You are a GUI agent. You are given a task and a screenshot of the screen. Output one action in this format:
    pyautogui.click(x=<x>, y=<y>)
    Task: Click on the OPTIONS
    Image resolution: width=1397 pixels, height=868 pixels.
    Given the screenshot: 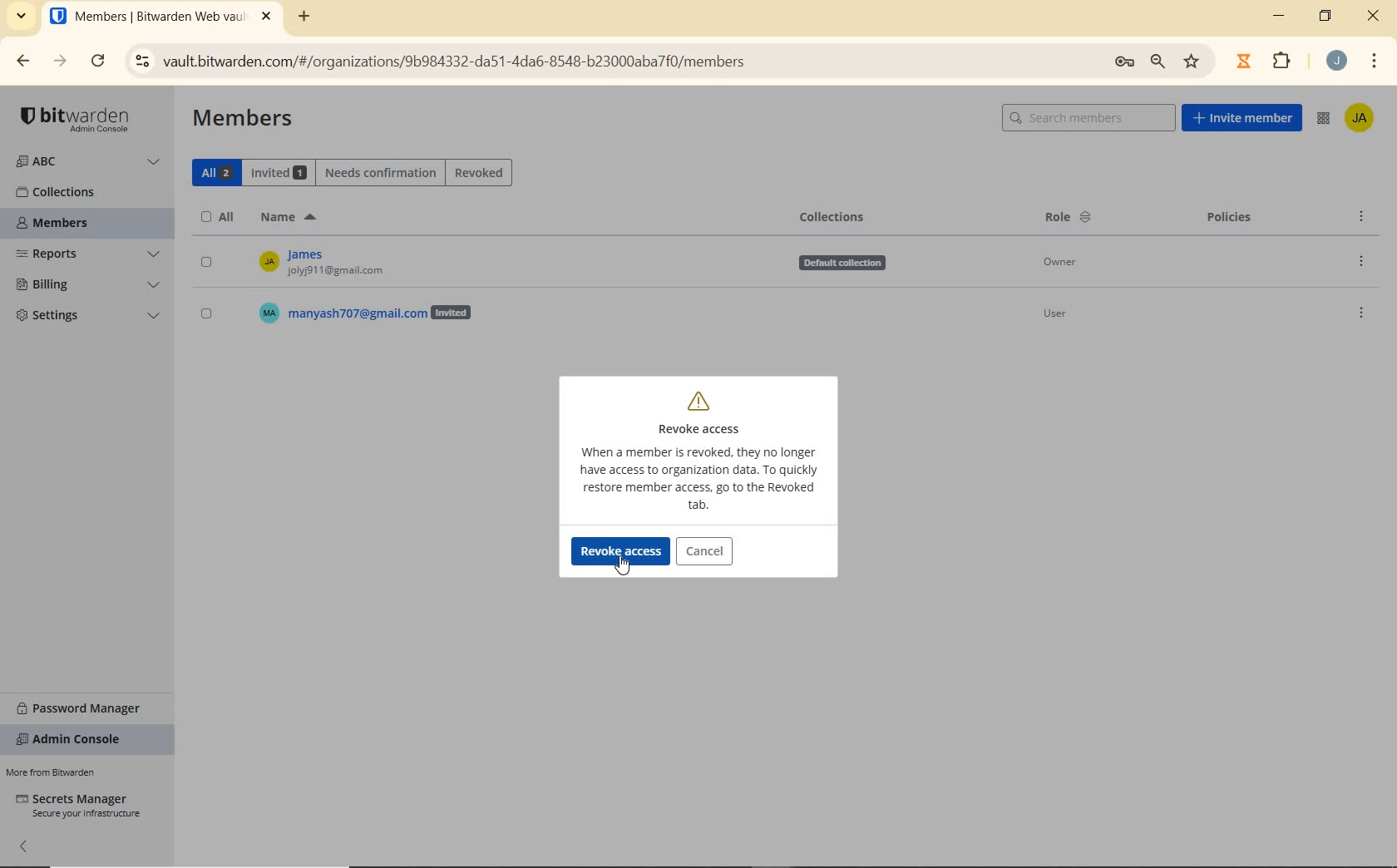 What is the action you would take?
    pyautogui.click(x=1366, y=308)
    